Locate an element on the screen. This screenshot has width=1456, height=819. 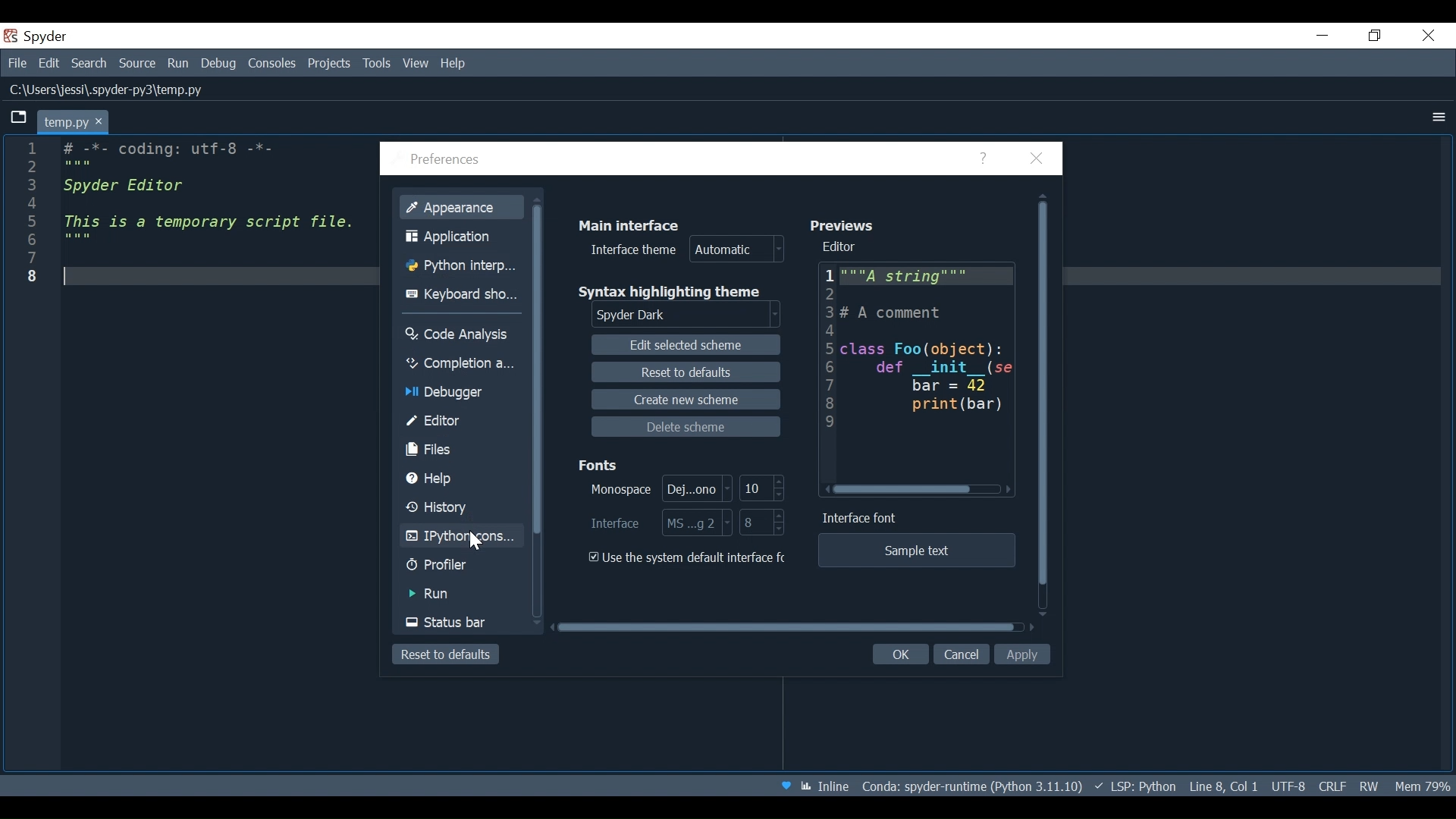
Cancel is located at coordinates (963, 654).